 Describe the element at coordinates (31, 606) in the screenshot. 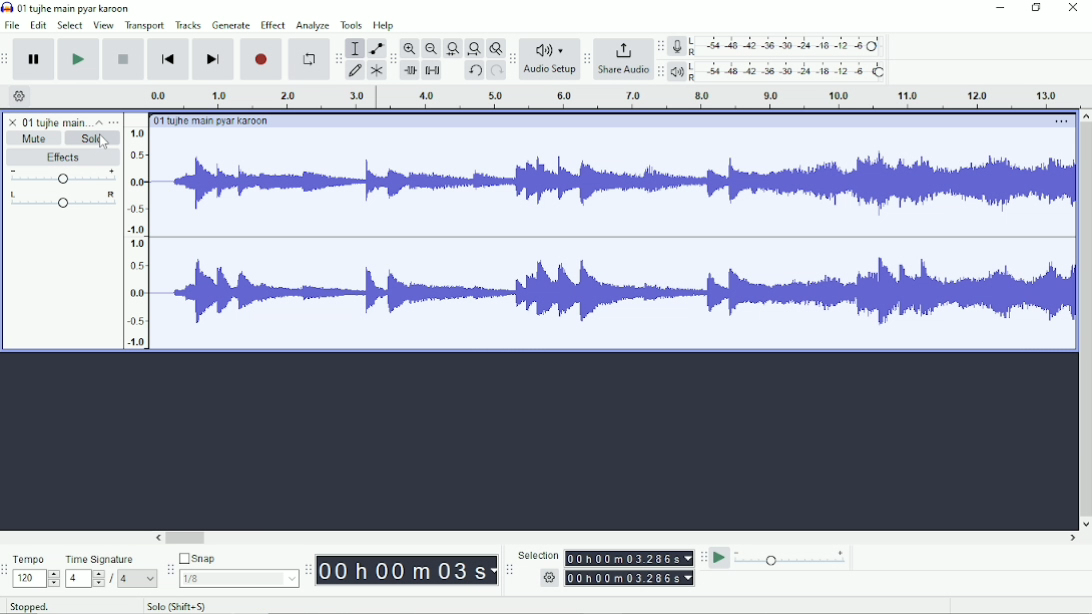

I see `Stopped` at that location.